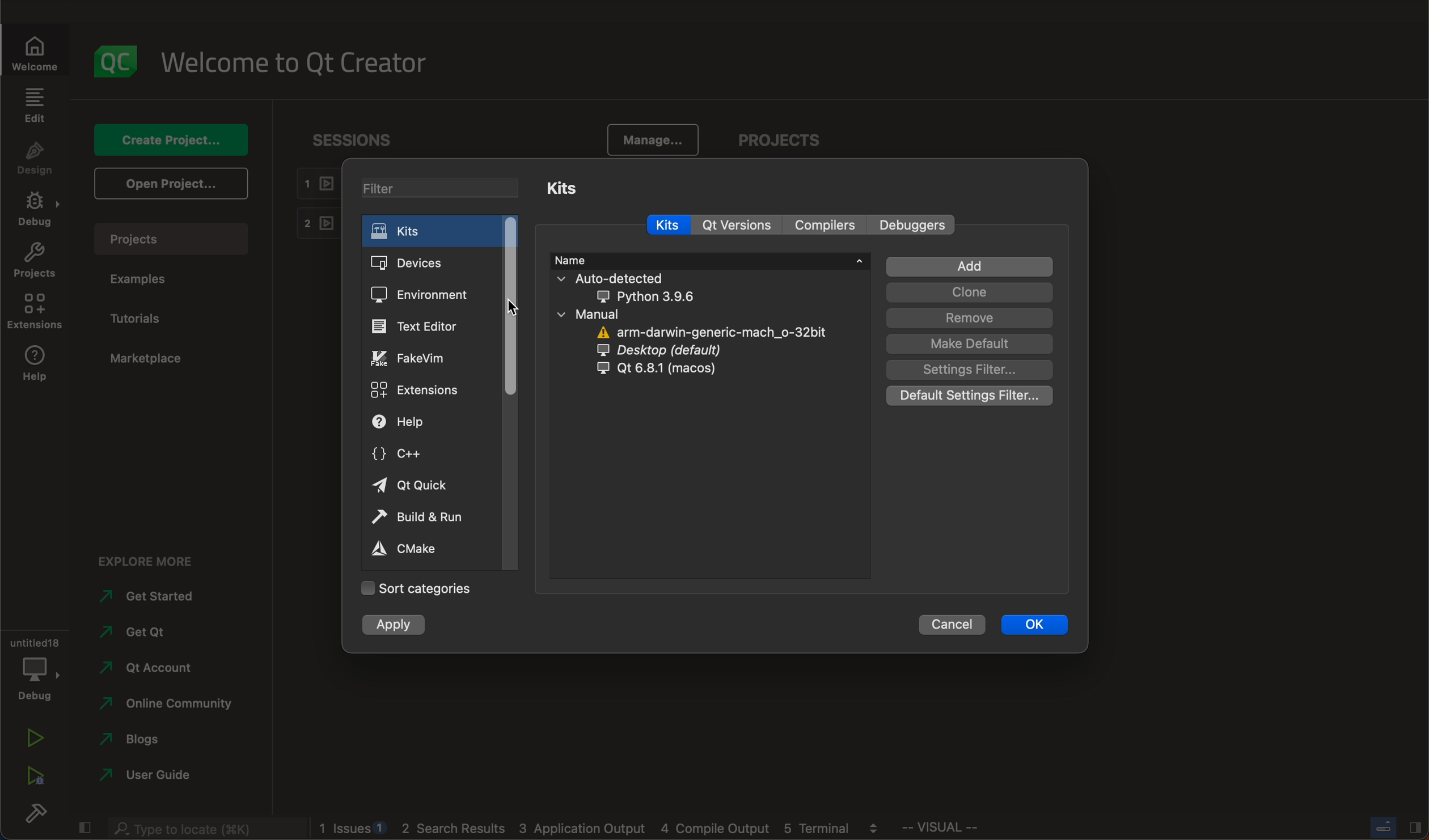  What do you see at coordinates (742, 225) in the screenshot?
I see `qt versions` at bounding box center [742, 225].